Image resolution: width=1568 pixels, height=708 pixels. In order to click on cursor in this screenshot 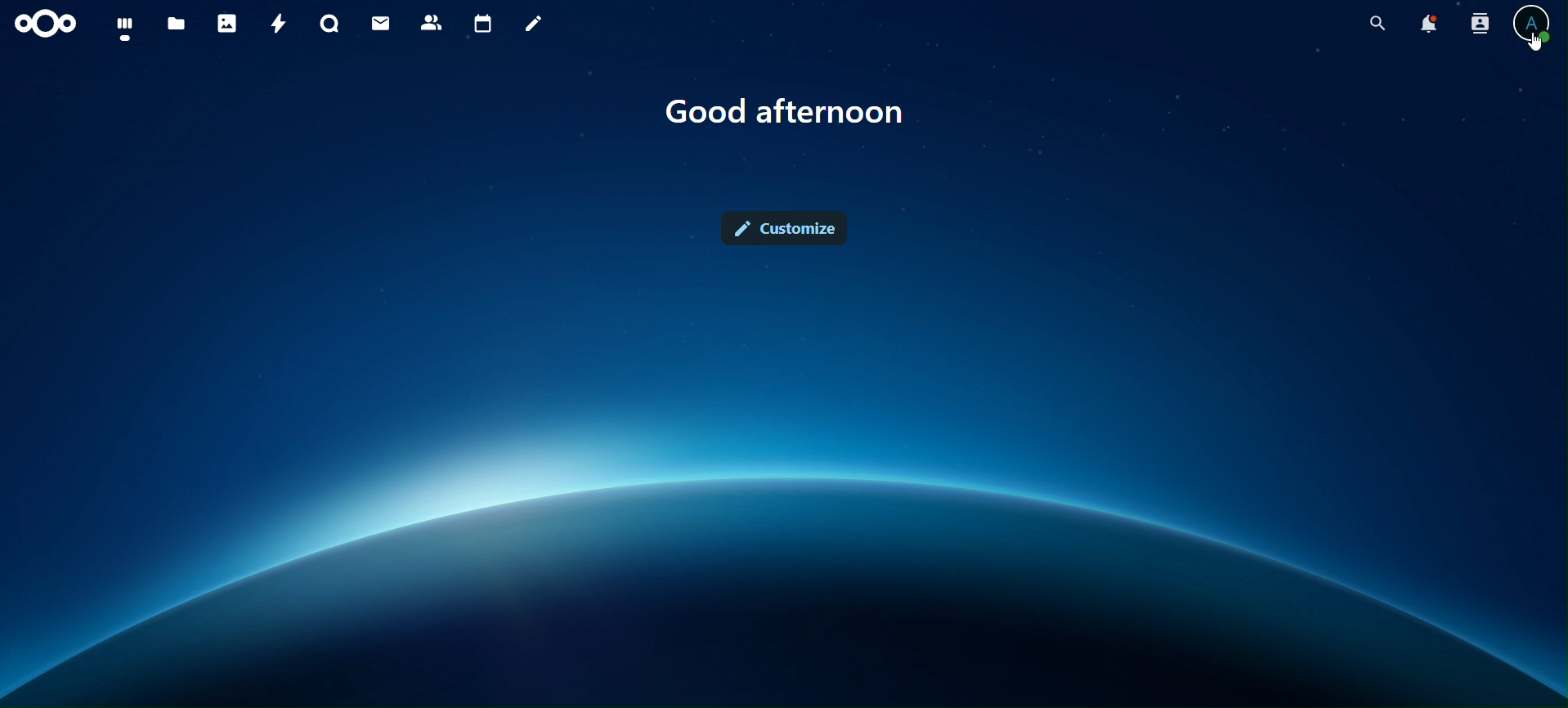, I will do `click(1538, 43)`.